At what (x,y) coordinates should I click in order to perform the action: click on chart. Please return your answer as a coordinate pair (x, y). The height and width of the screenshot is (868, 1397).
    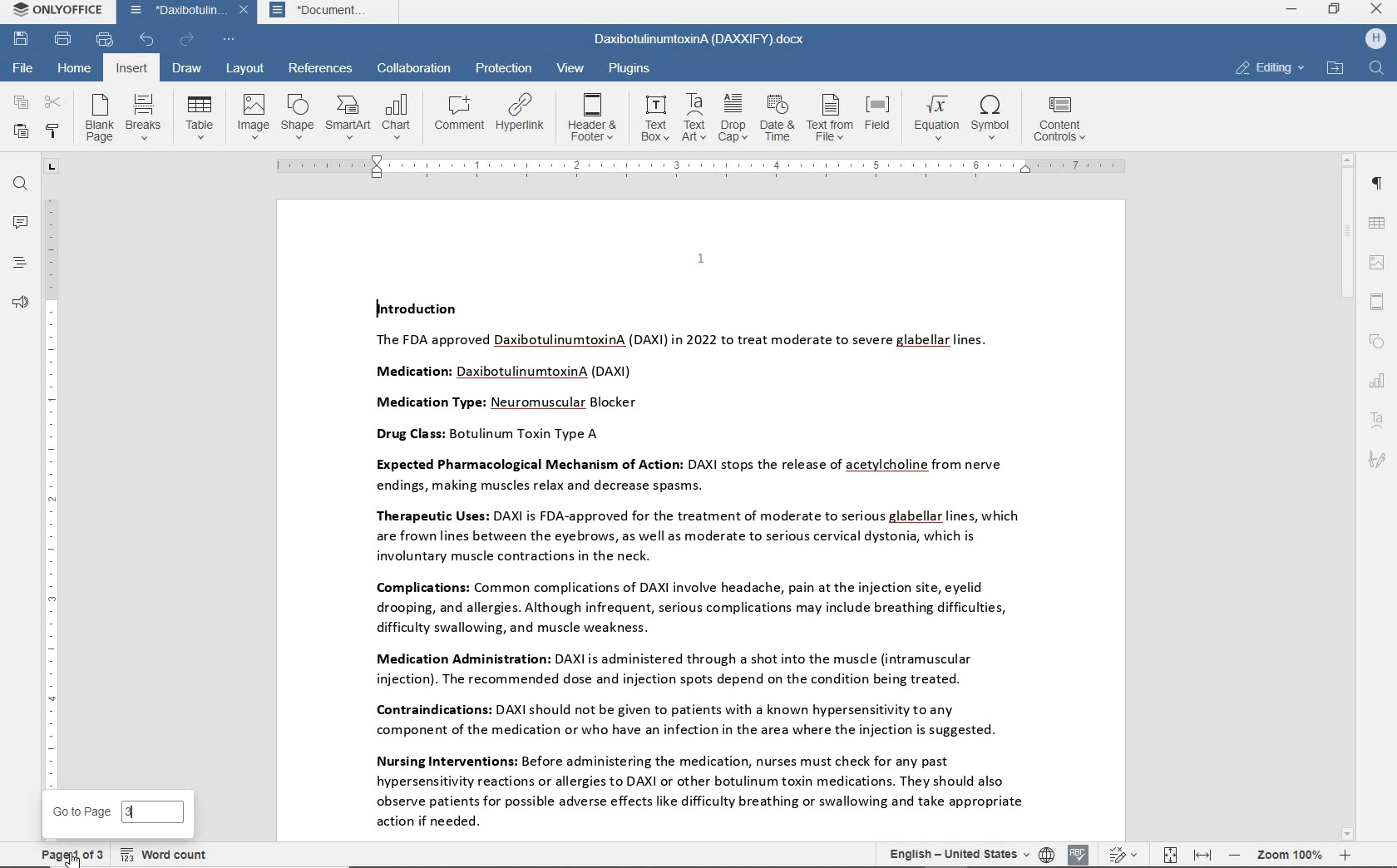
    Looking at the image, I should click on (1378, 382).